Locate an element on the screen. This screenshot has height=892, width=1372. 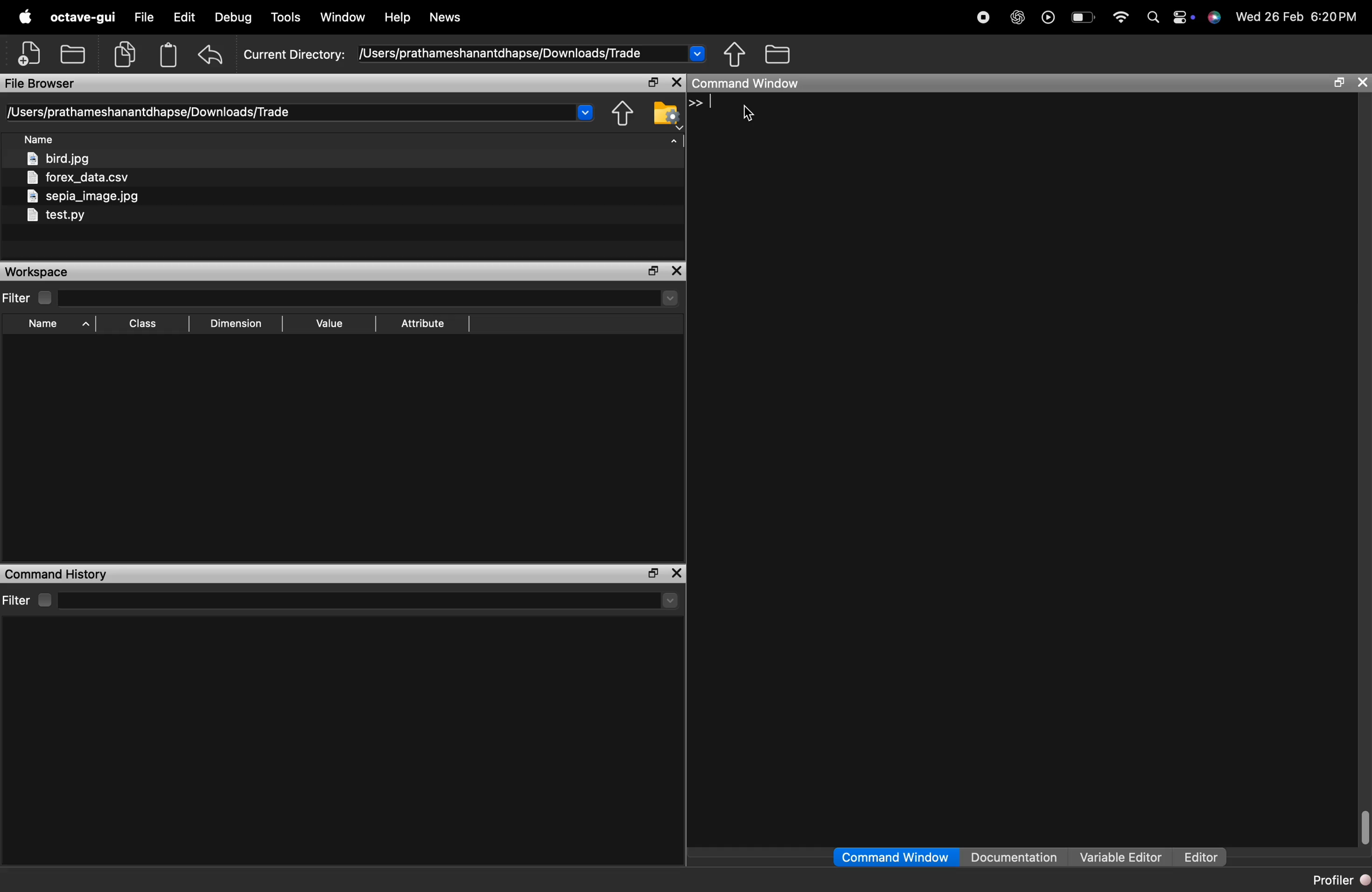
run is located at coordinates (1049, 17).